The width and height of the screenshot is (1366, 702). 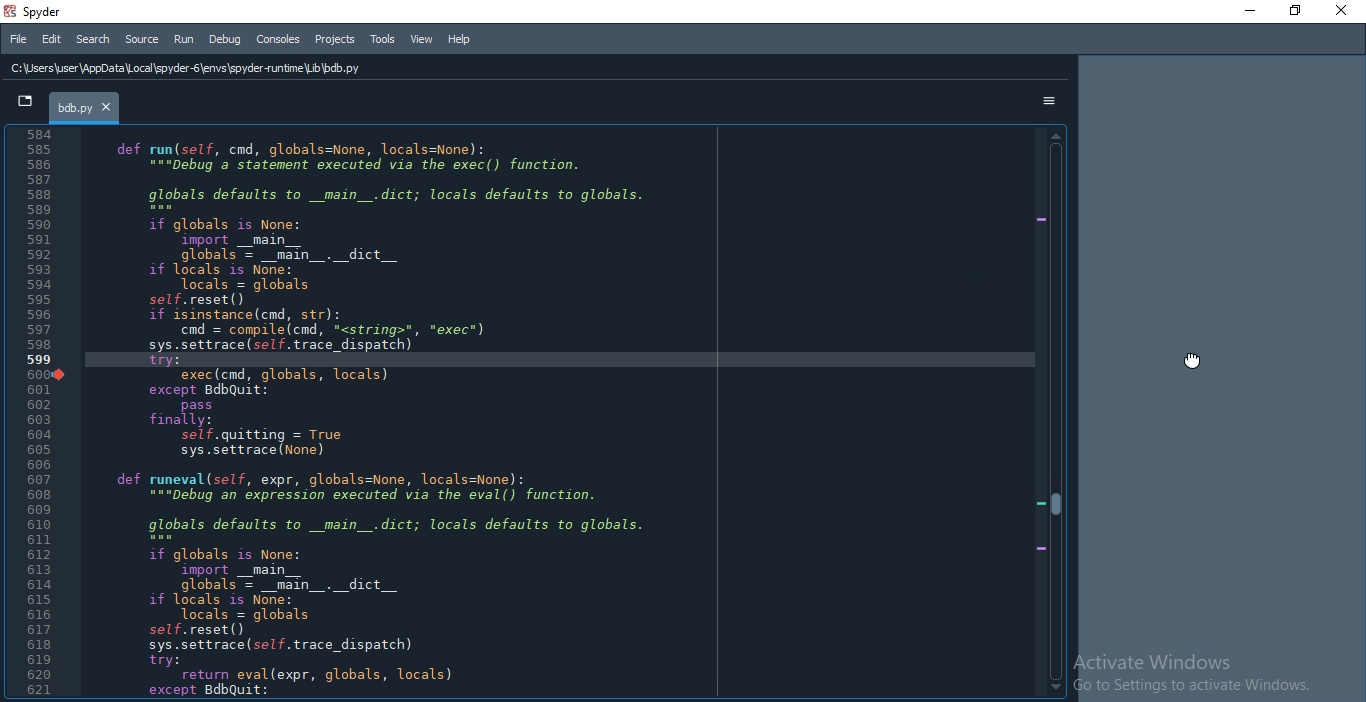 I want to click on C:\Users\user \AppData Local \spyder-6\envs\spyder runtime Lib \bdb.py, so click(x=195, y=69).